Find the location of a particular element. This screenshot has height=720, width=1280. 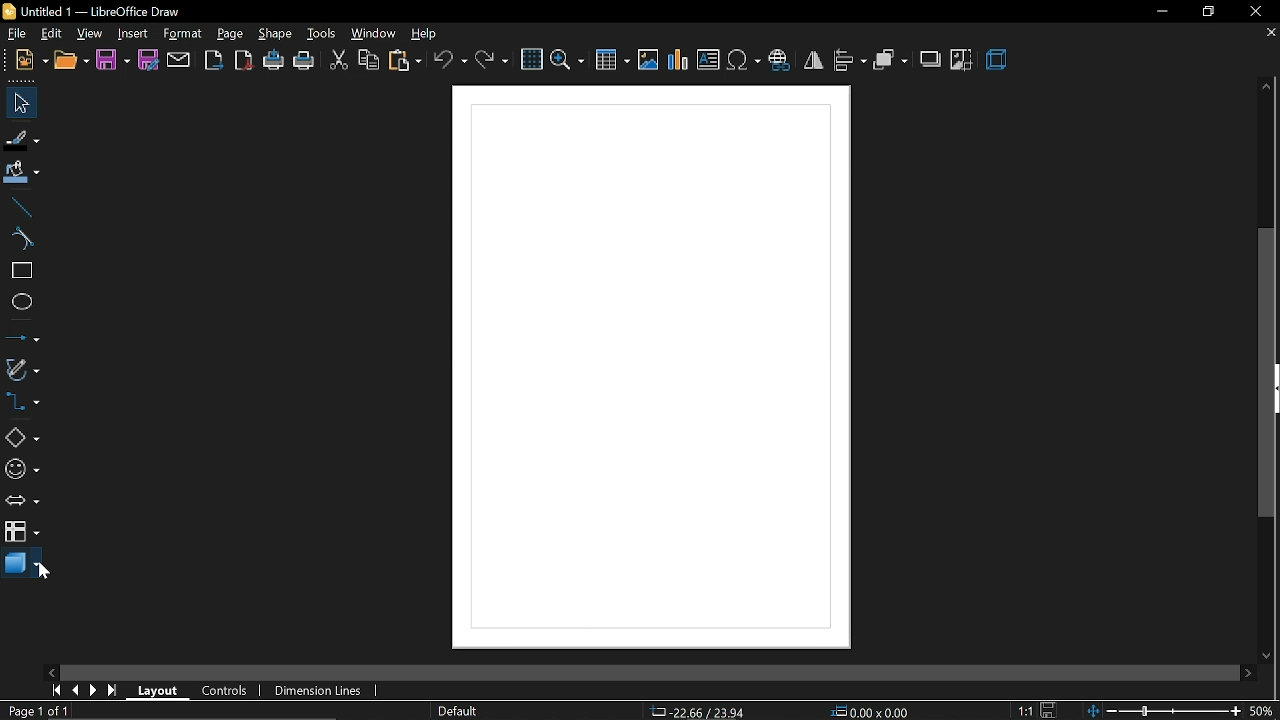

save is located at coordinates (113, 61).